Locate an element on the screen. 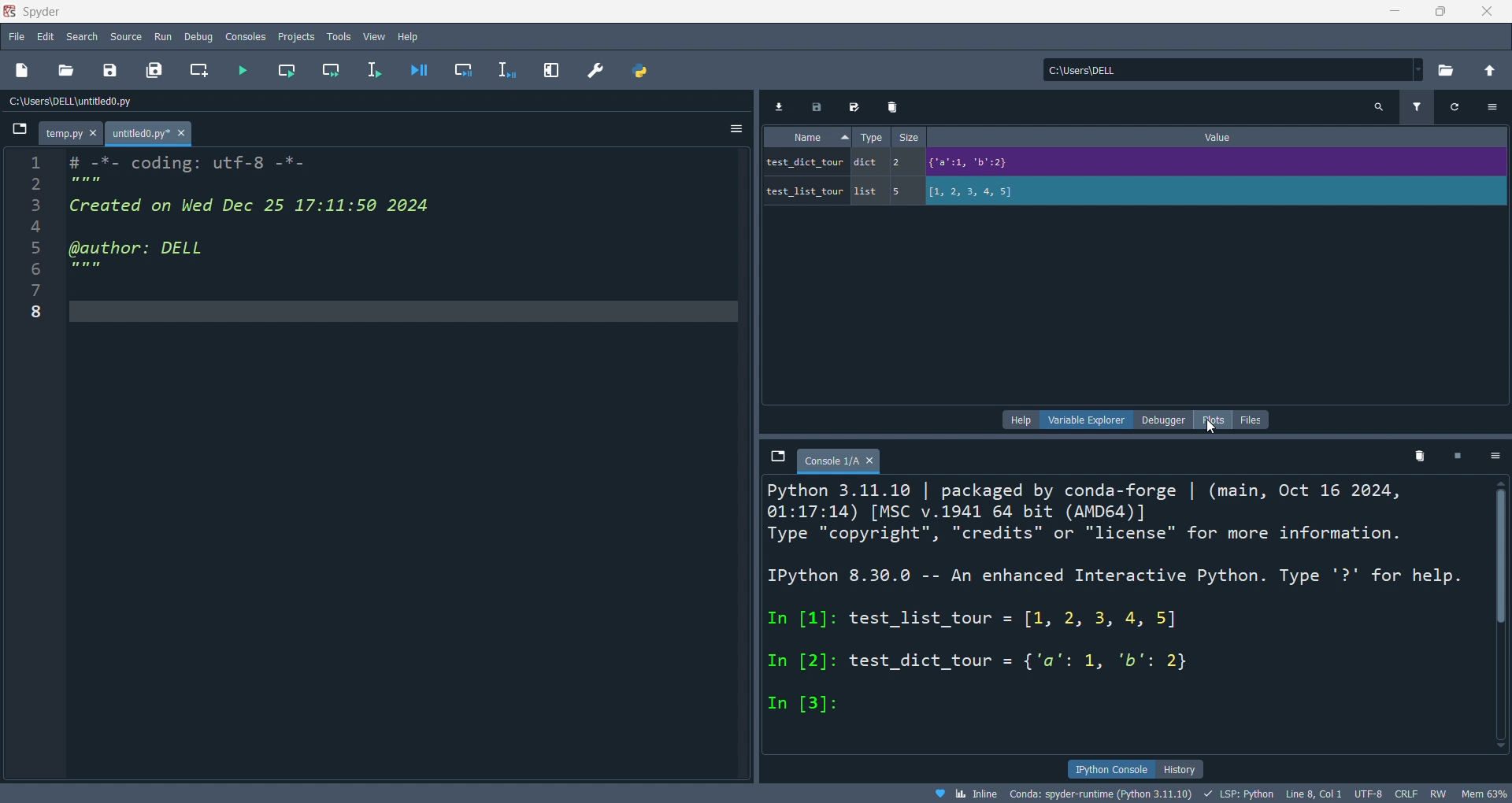 Image resolution: width=1512 pixels, height=803 pixels. value is located at coordinates (1217, 138).